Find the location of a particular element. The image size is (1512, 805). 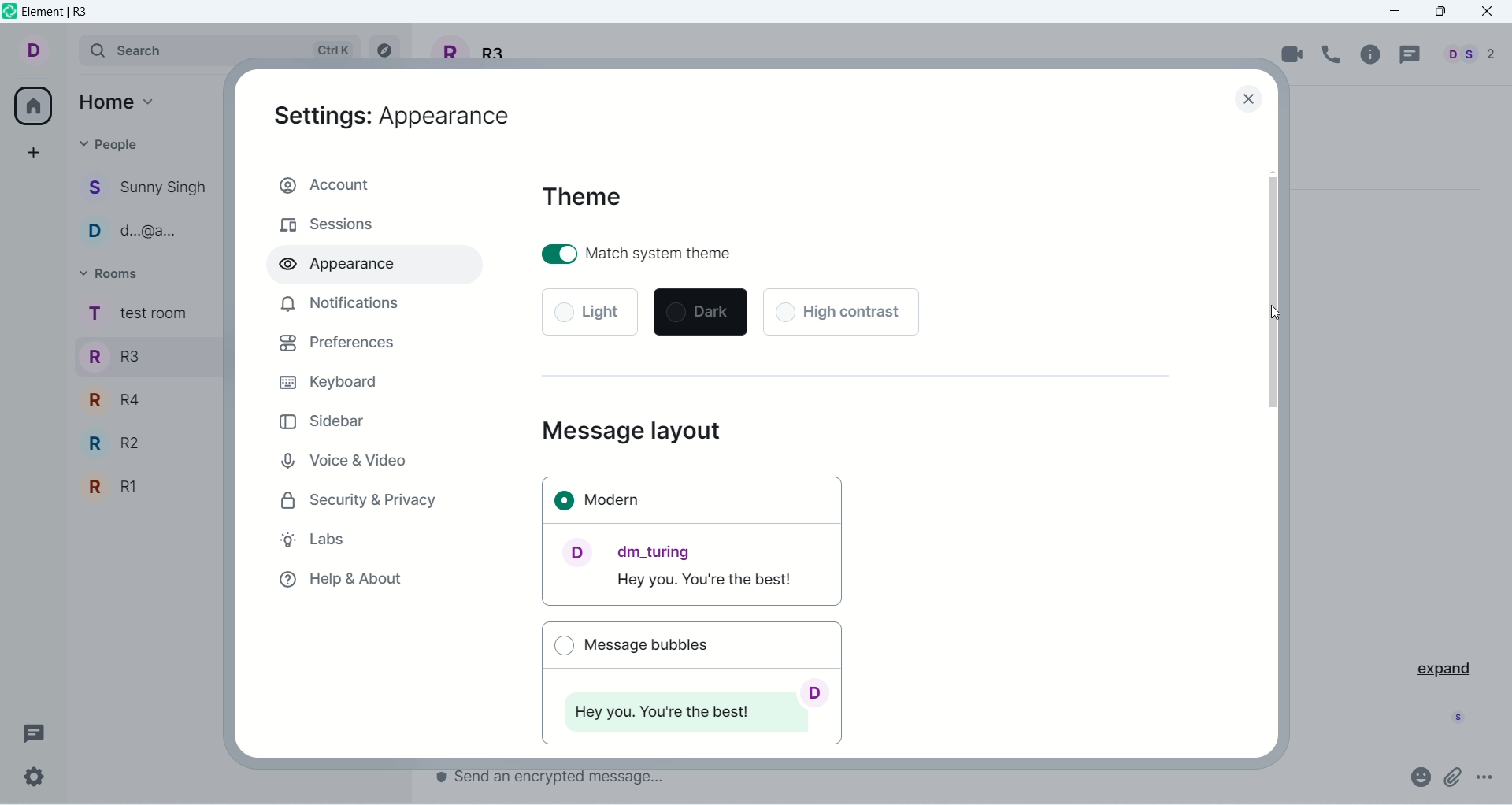

R2 is located at coordinates (150, 443).